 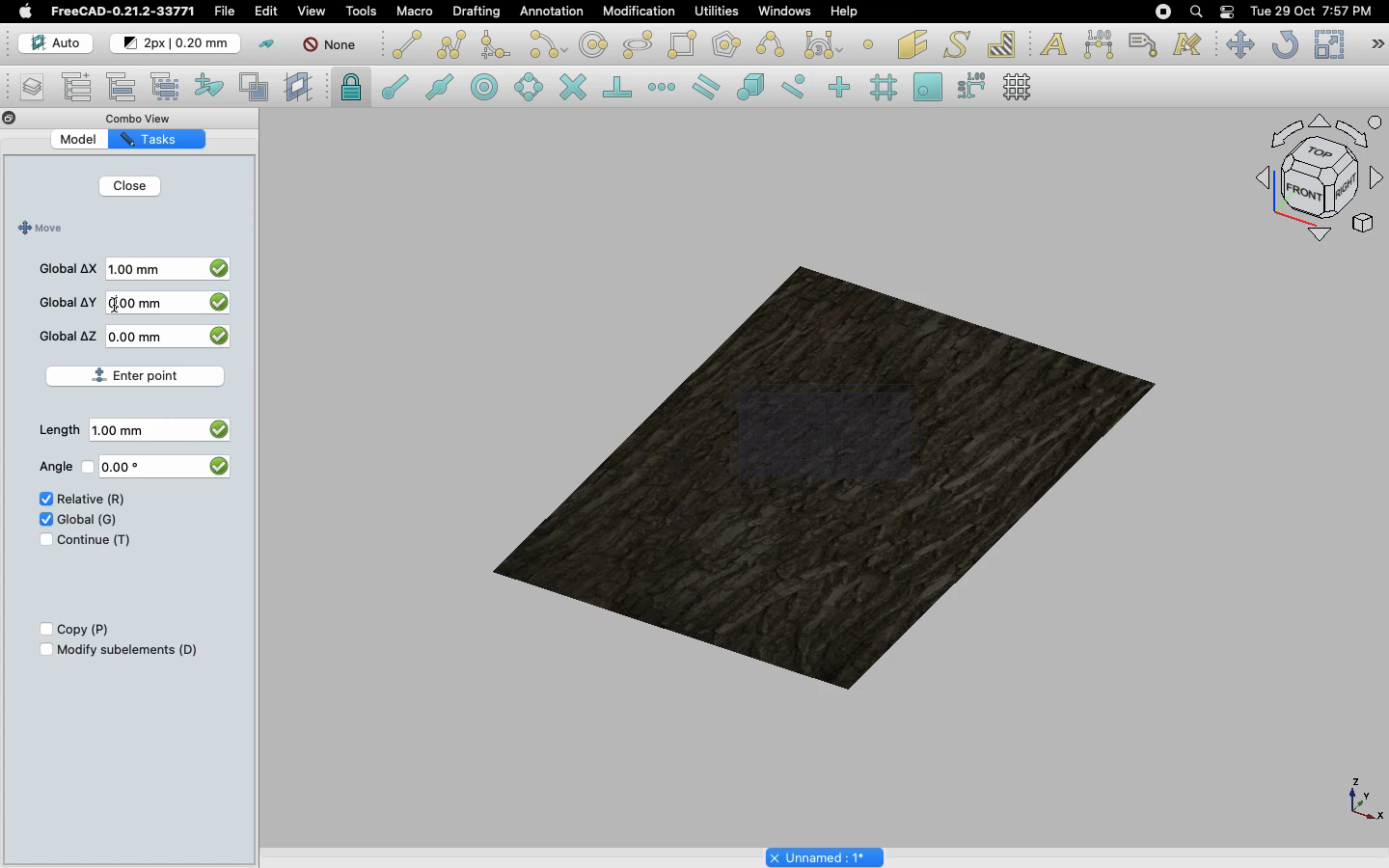 I want to click on checkbox, so click(x=217, y=427).